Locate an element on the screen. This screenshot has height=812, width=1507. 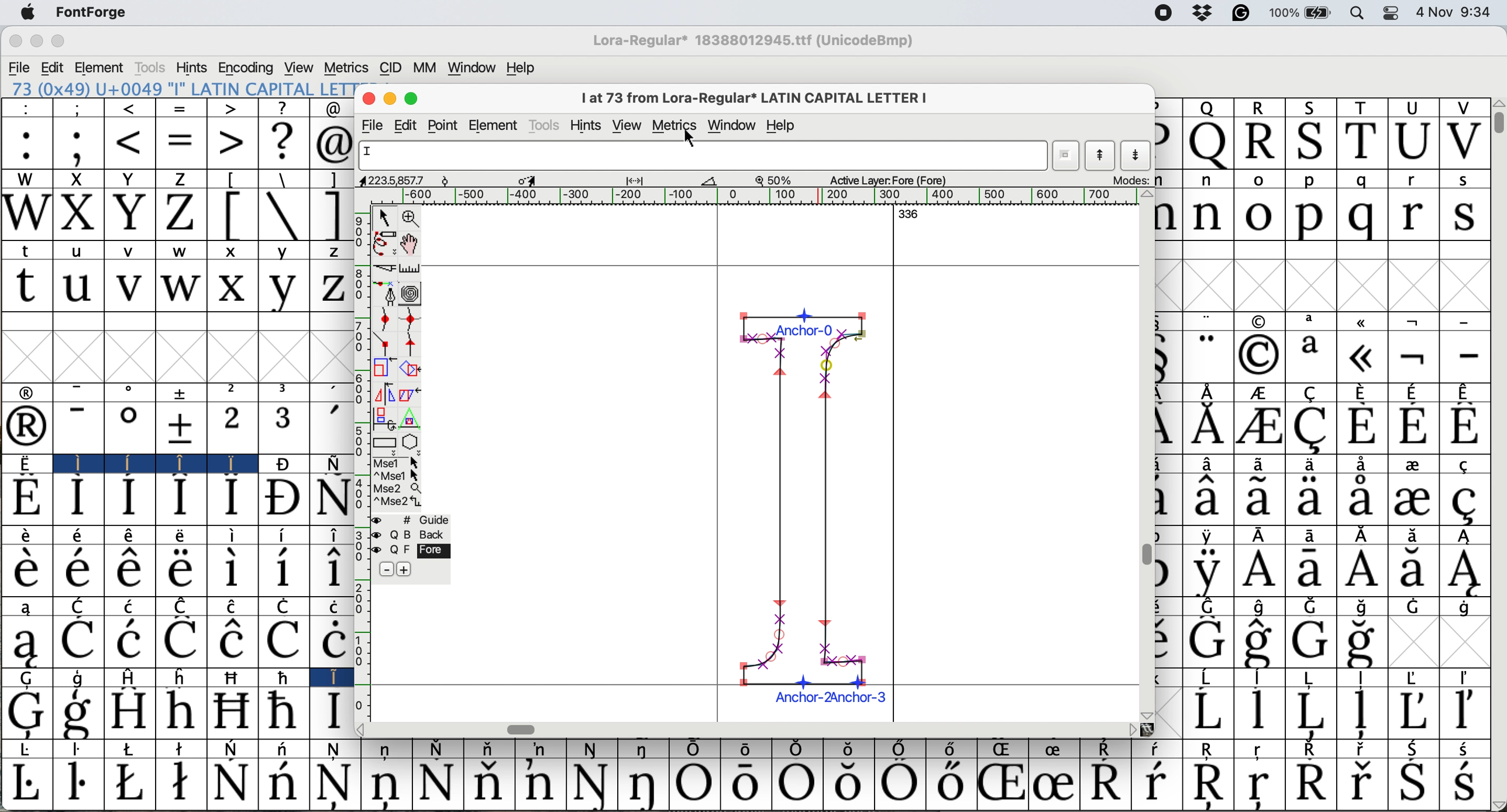
Symbol is located at coordinates (1258, 570).